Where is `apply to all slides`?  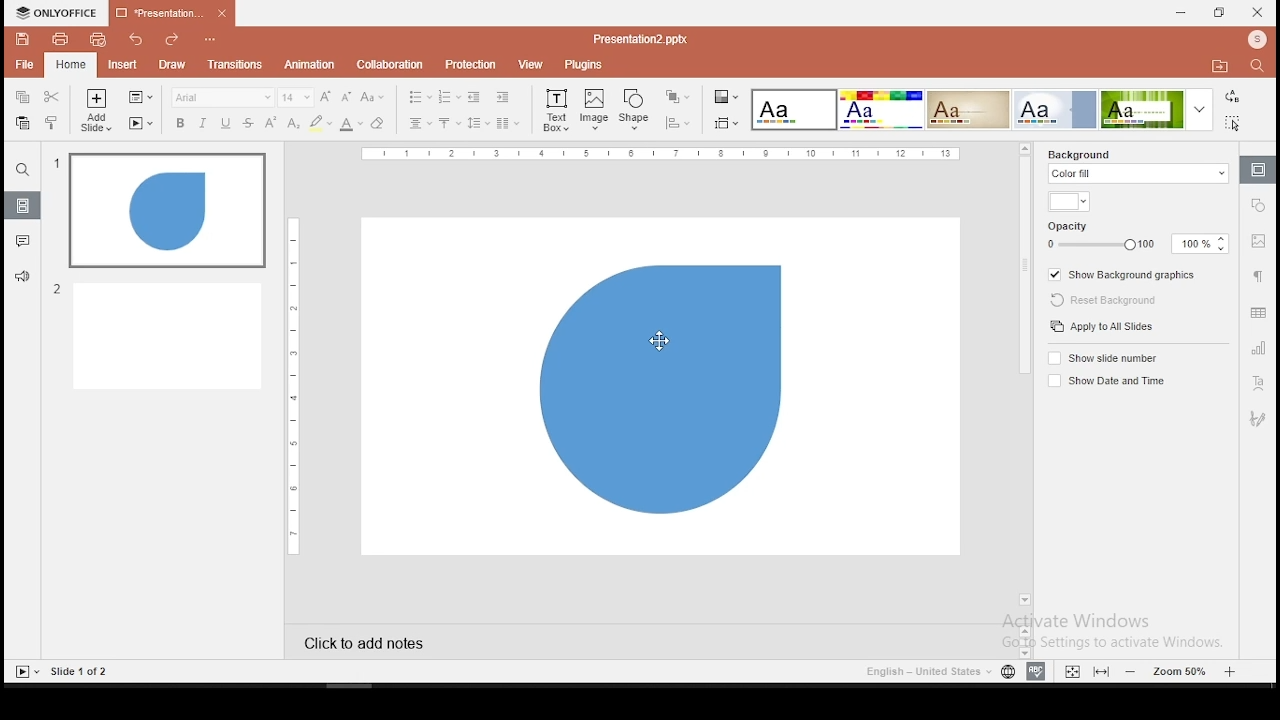
apply to all slides is located at coordinates (1100, 326).